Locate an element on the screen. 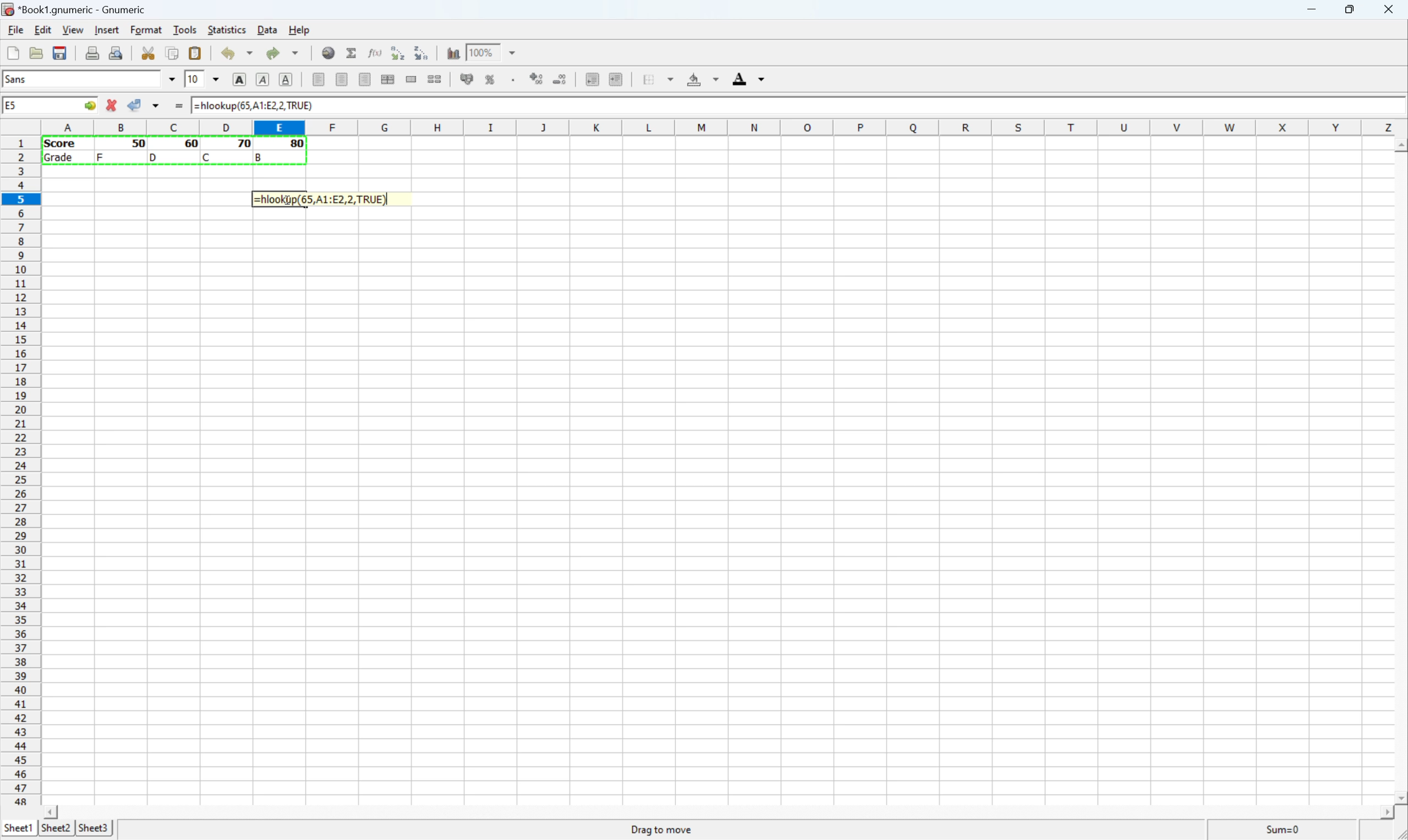 This screenshot has width=1408, height=840. View is located at coordinates (72, 29).